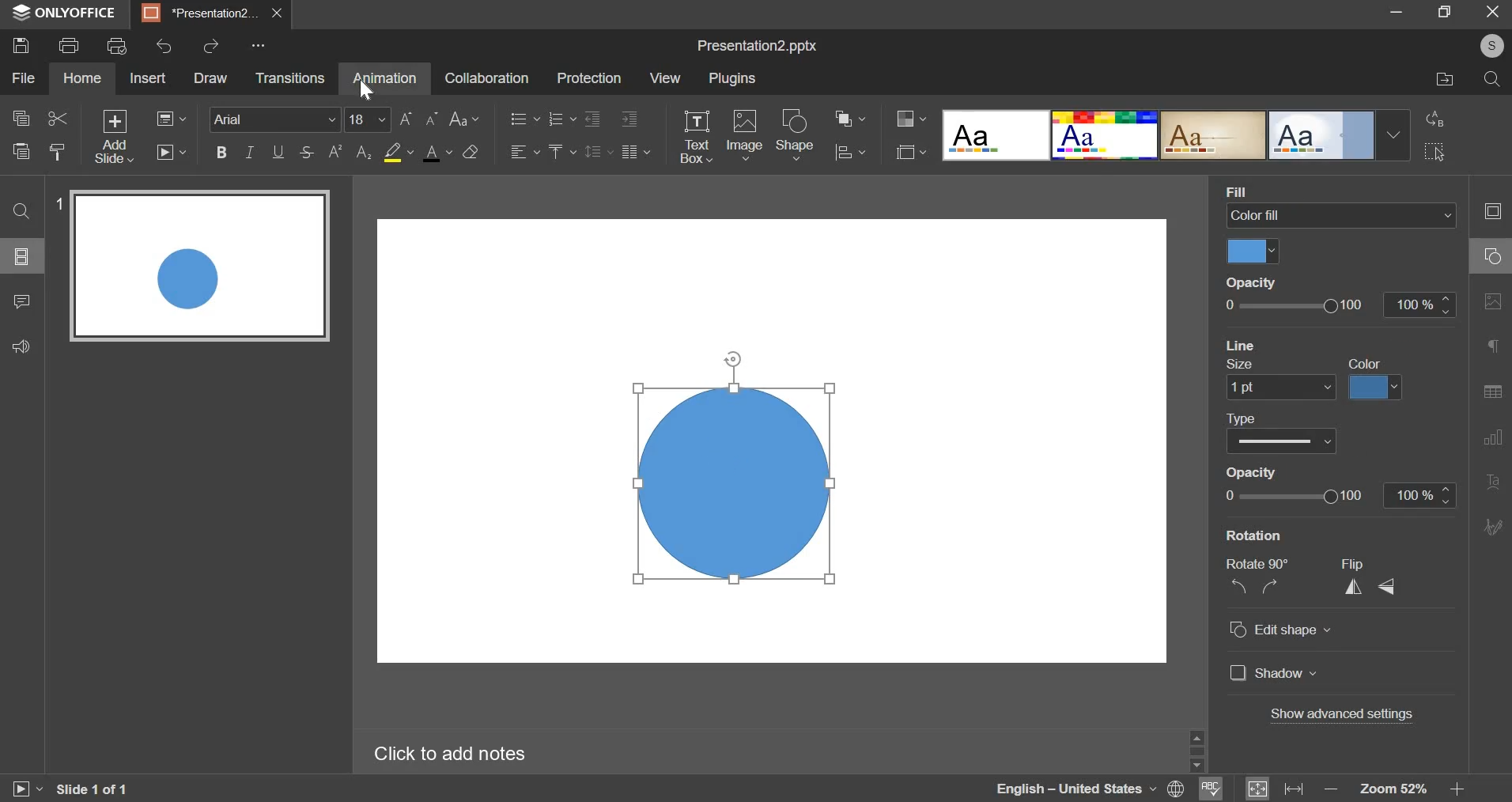 Image resolution: width=1512 pixels, height=802 pixels. What do you see at coordinates (1449, 12) in the screenshot?
I see `maximize` at bounding box center [1449, 12].